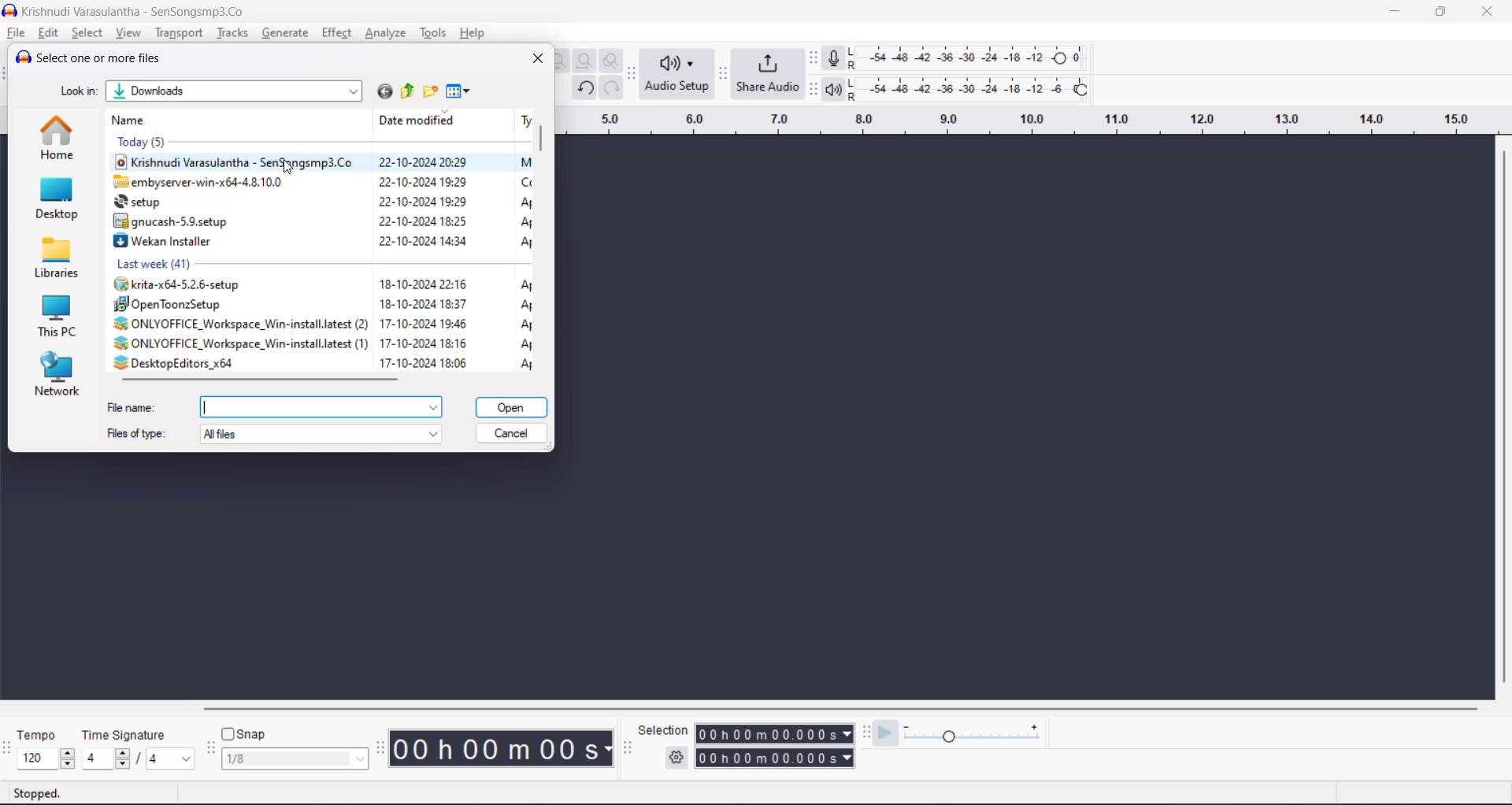 This screenshot has height=805, width=1512. I want to click on play at speed, so click(885, 733).